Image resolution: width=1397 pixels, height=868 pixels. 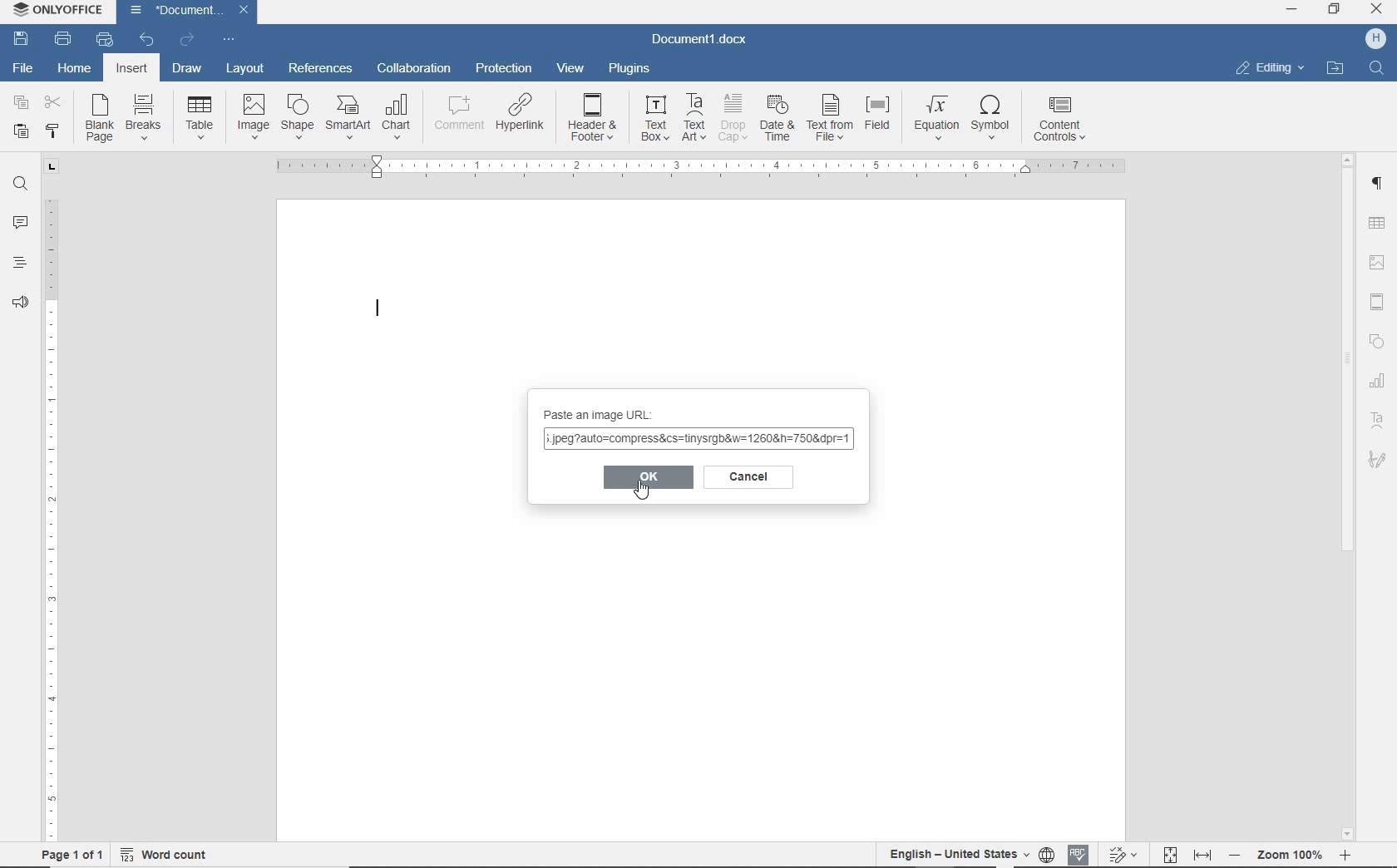 I want to click on equation, so click(x=935, y=116).